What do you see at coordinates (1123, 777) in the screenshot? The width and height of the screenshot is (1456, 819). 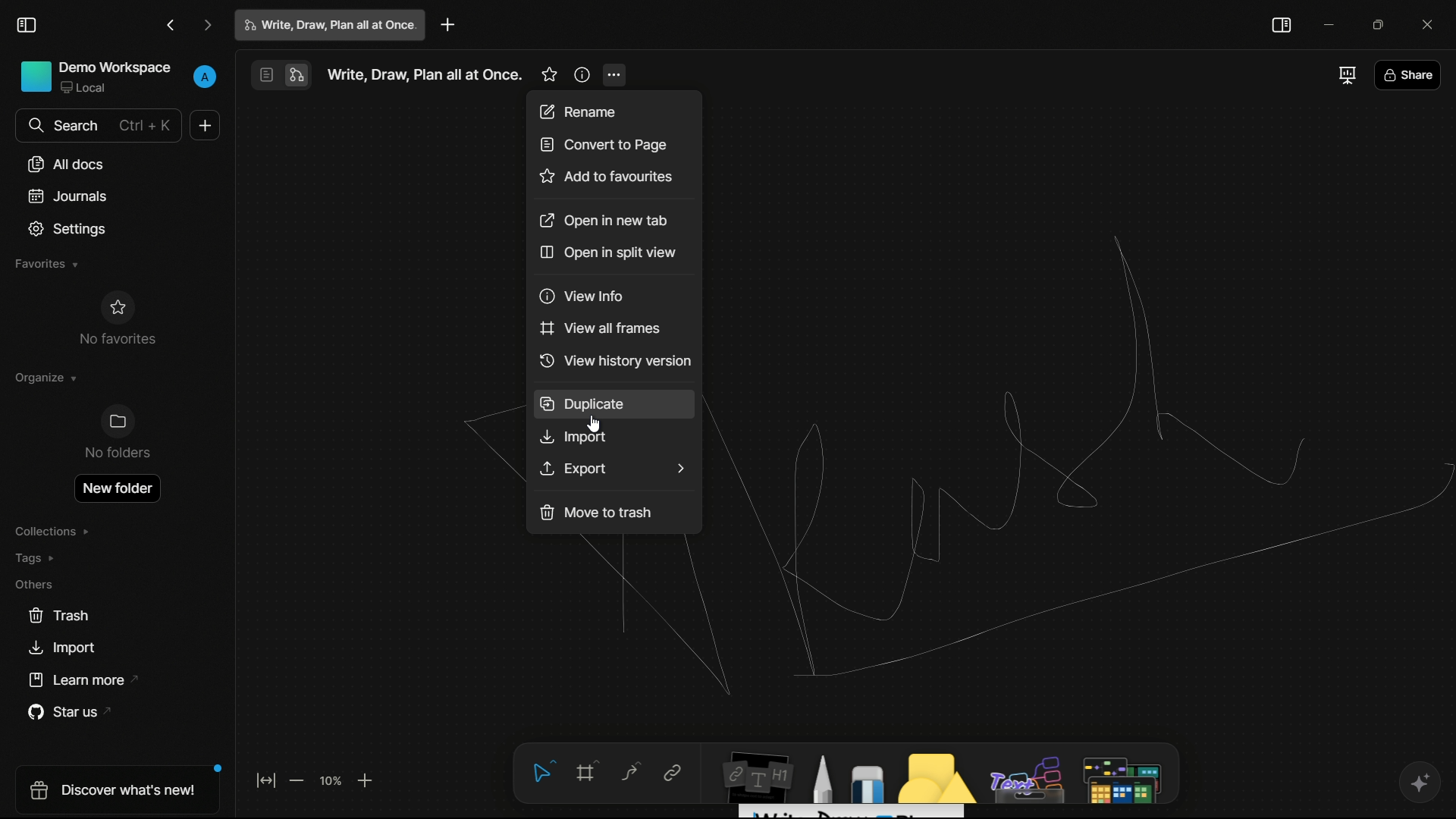 I see `map` at bounding box center [1123, 777].